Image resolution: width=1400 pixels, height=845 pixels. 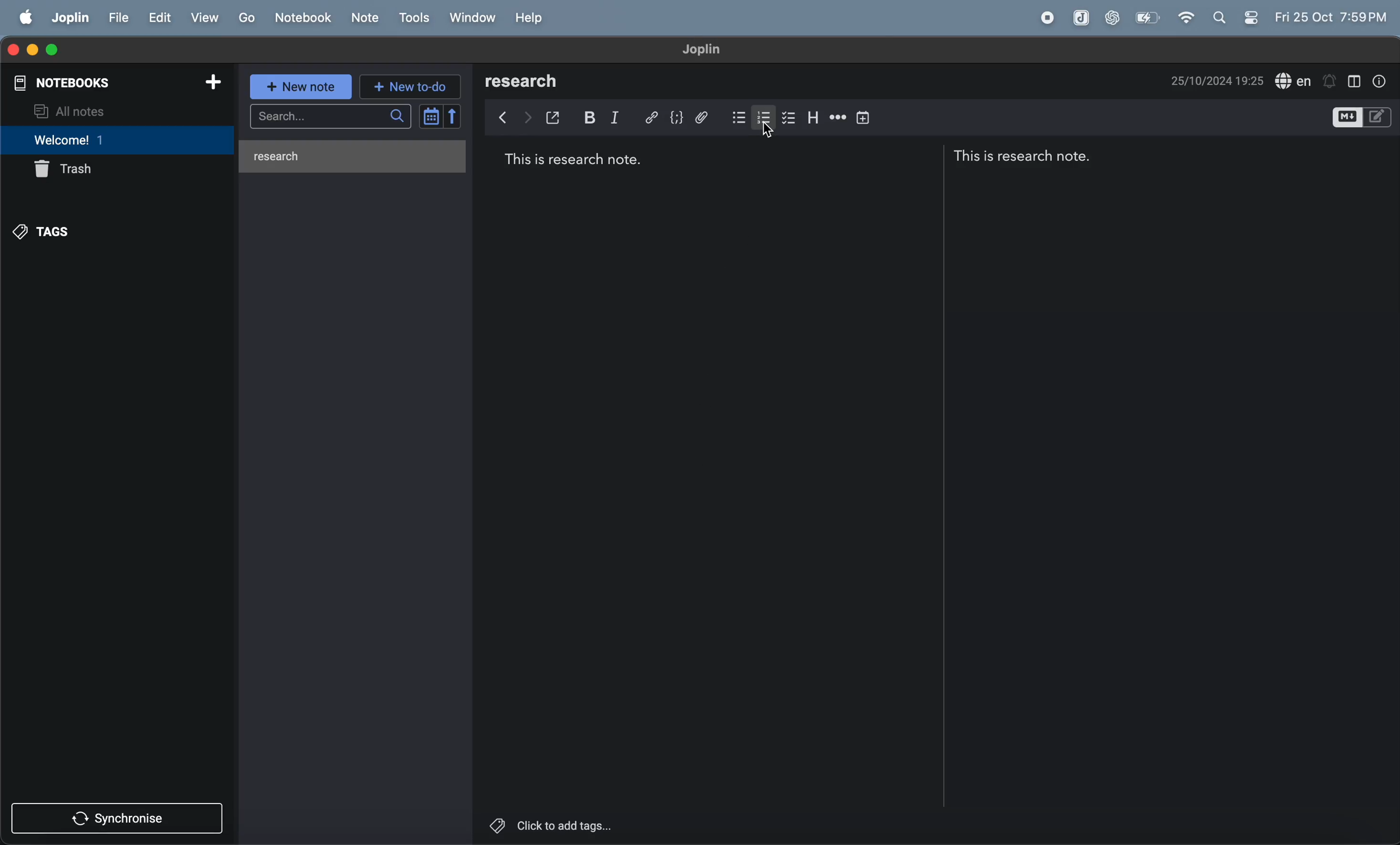 I want to click on back, so click(x=502, y=119).